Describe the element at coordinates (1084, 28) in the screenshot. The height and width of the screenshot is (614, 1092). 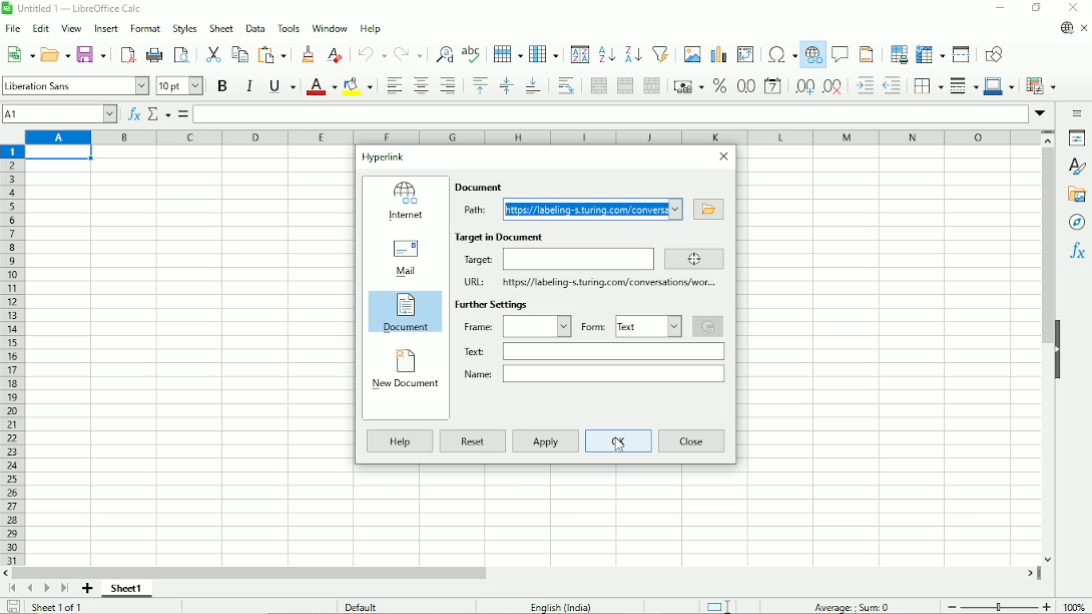
I see `Close document` at that location.